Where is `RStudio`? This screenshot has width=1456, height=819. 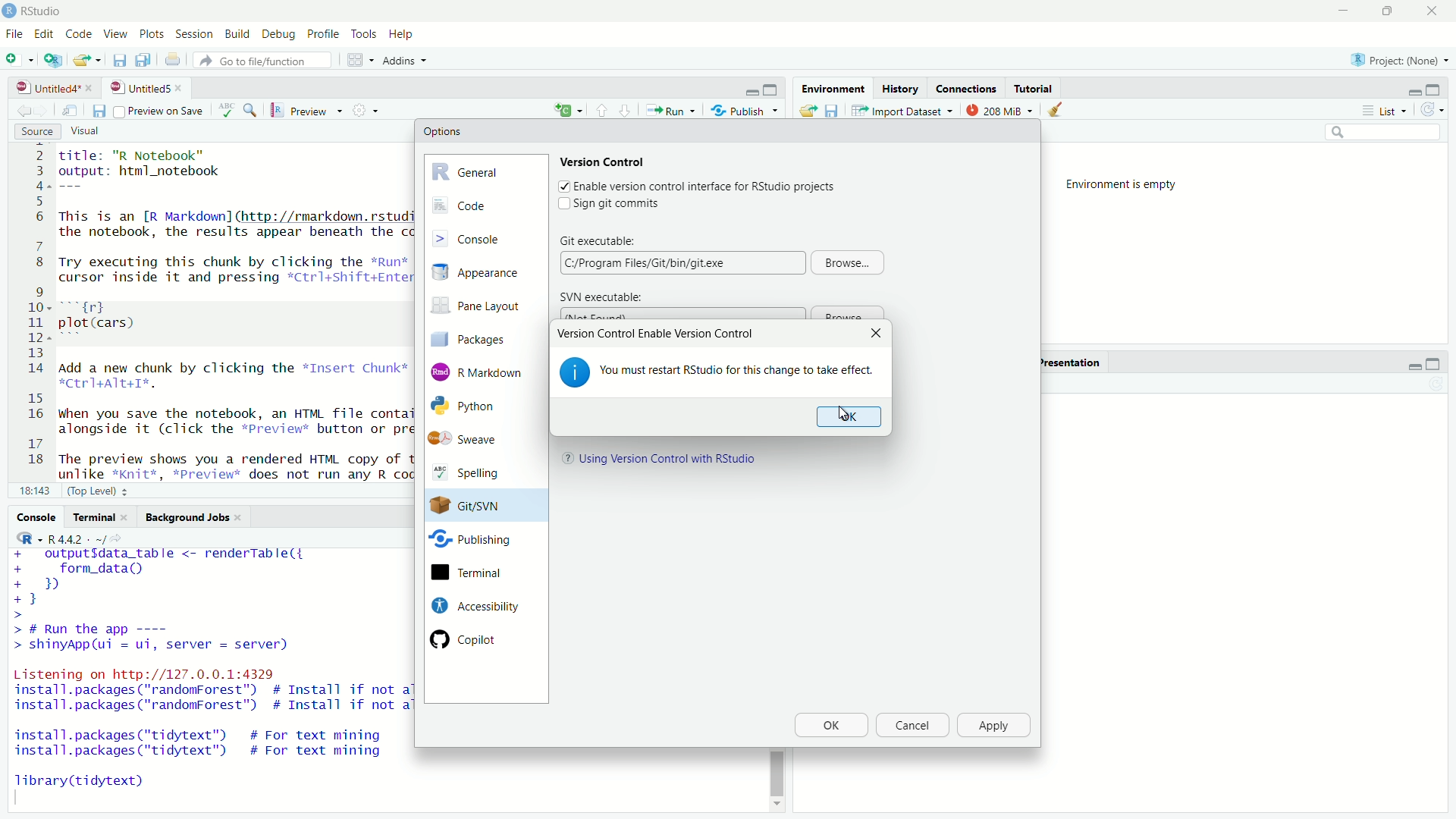
RStudio is located at coordinates (44, 11).